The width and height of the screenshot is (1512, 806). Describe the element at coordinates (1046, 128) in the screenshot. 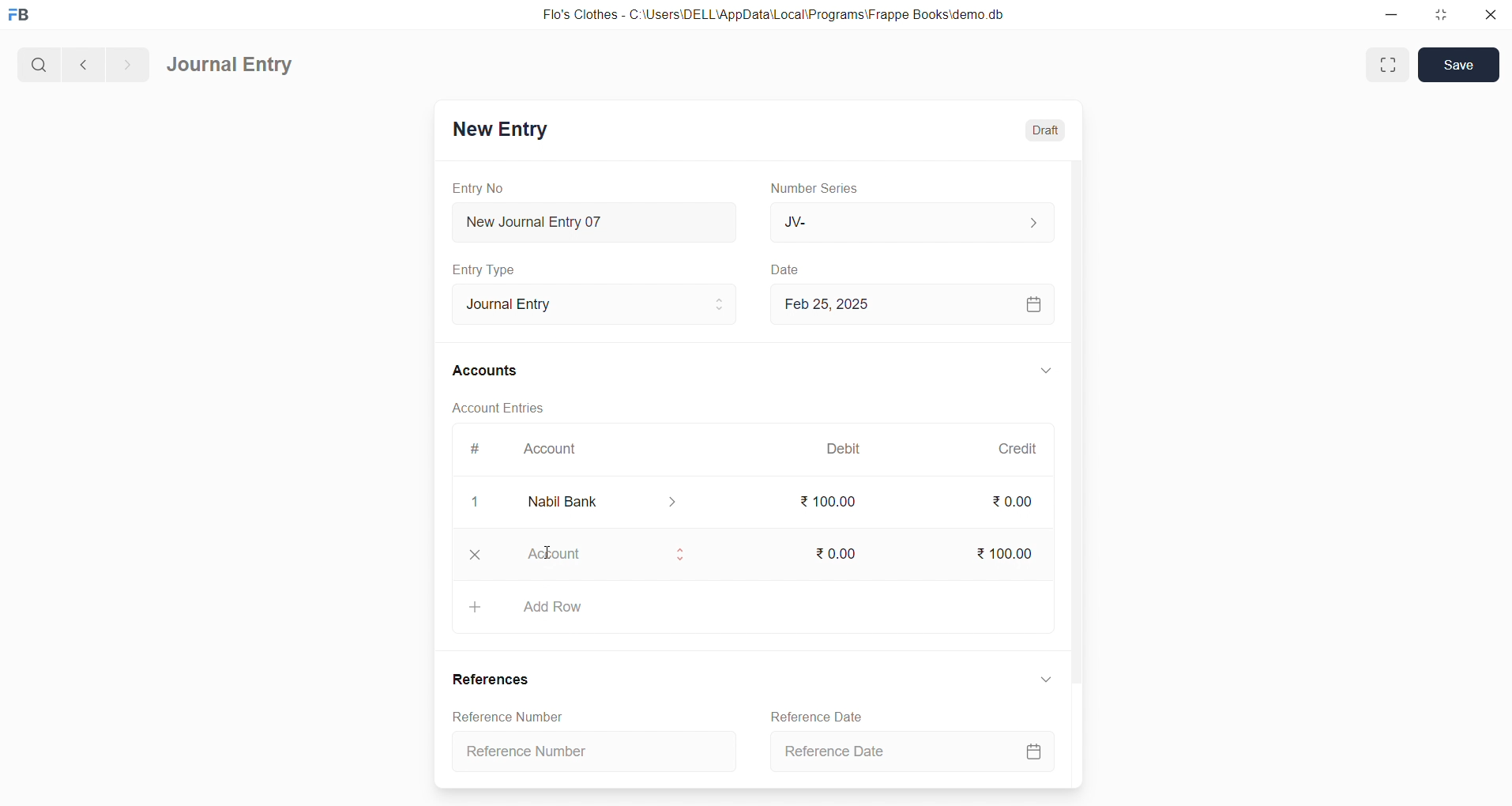

I see `Draft` at that location.